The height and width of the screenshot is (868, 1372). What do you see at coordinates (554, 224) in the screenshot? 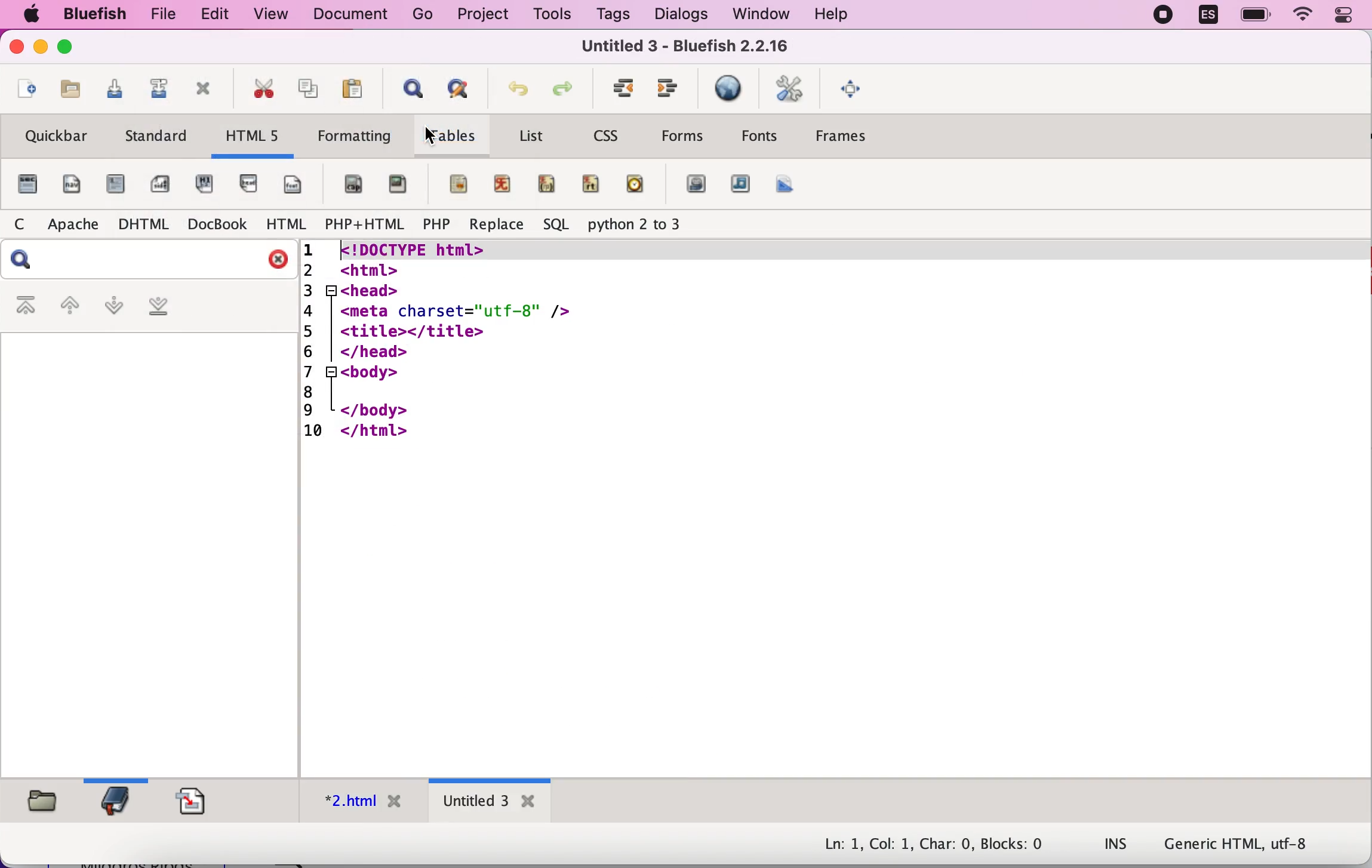
I see `sql` at bounding box center [554, 224].